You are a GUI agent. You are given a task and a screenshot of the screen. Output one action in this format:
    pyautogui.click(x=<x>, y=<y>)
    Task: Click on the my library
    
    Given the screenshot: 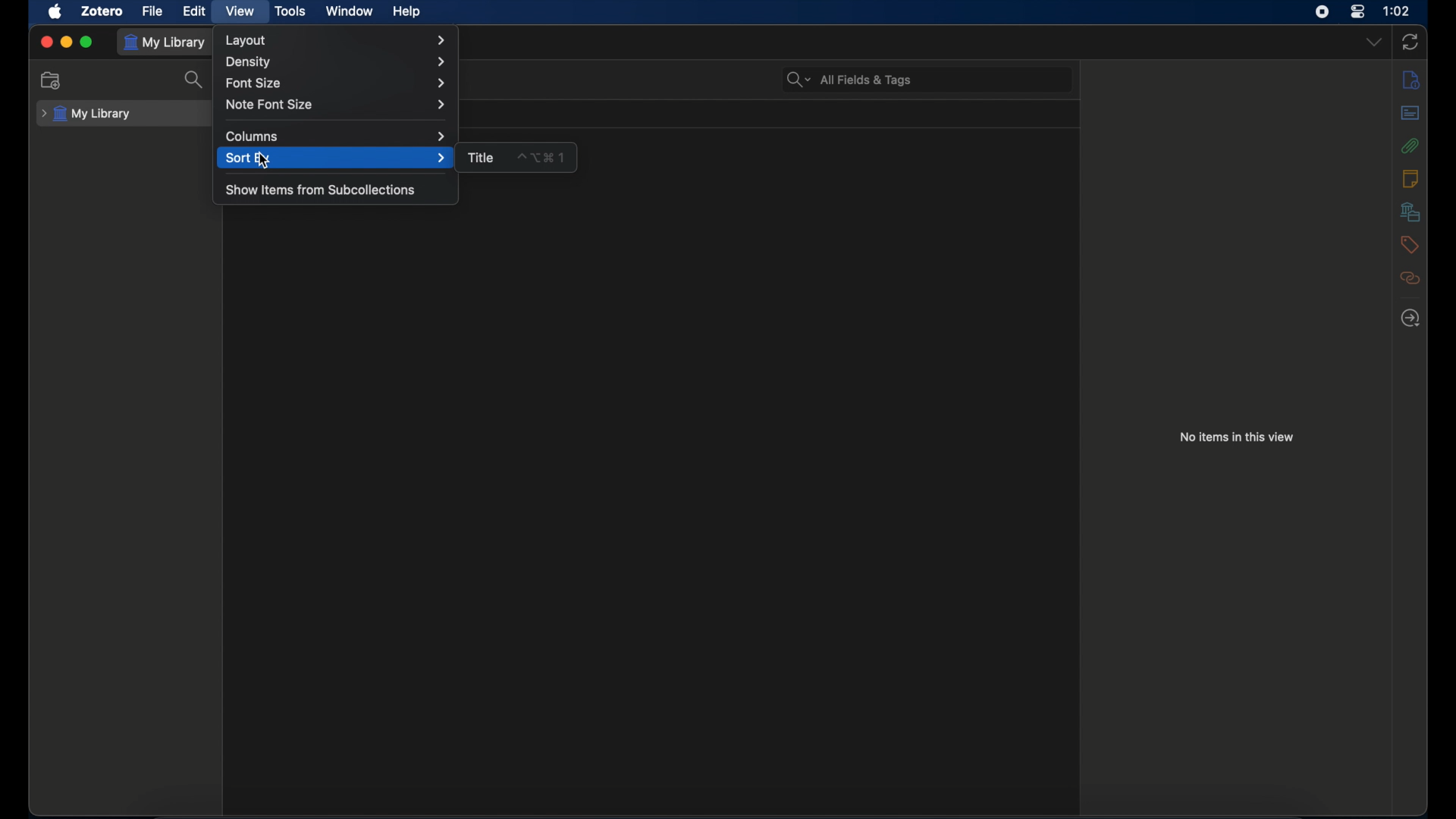 What is the action you would take?
    pyautogui.click(x=86, y=115)
    